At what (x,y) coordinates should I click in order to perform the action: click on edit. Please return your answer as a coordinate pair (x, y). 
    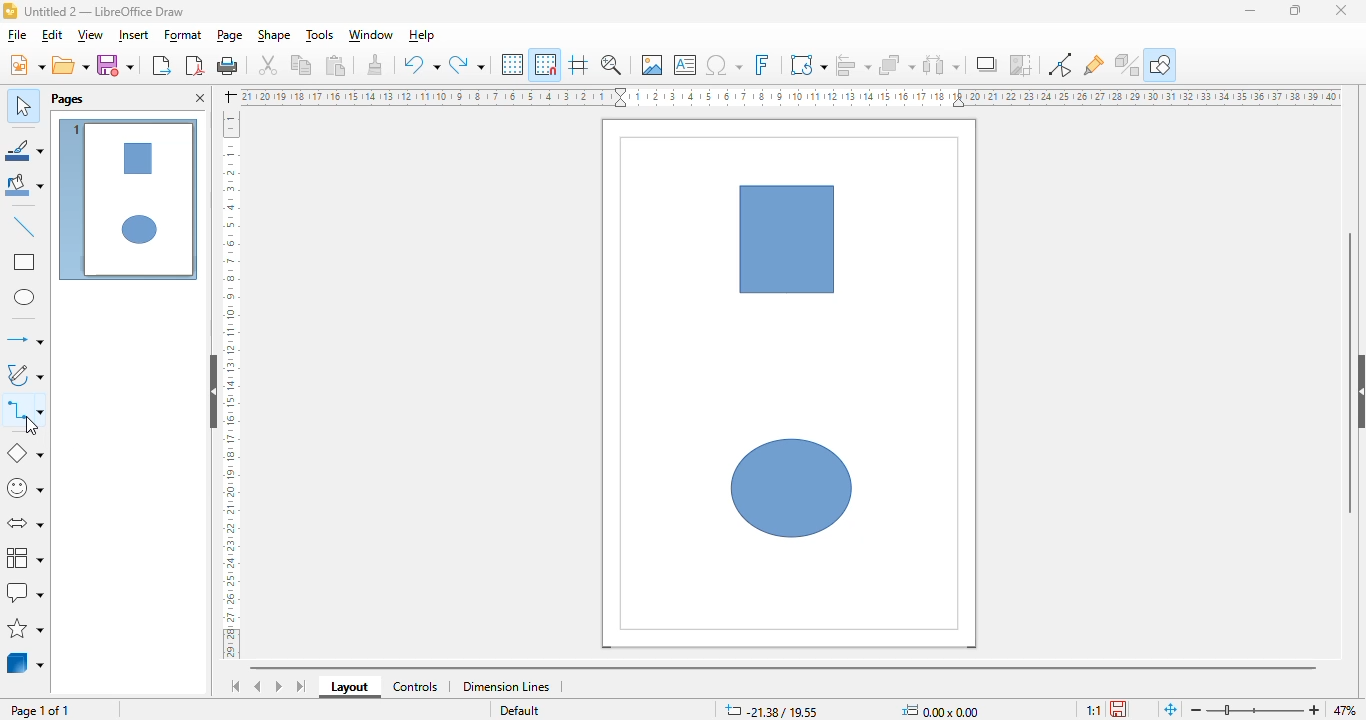
    Looking at the image, I should click on (53, 36).